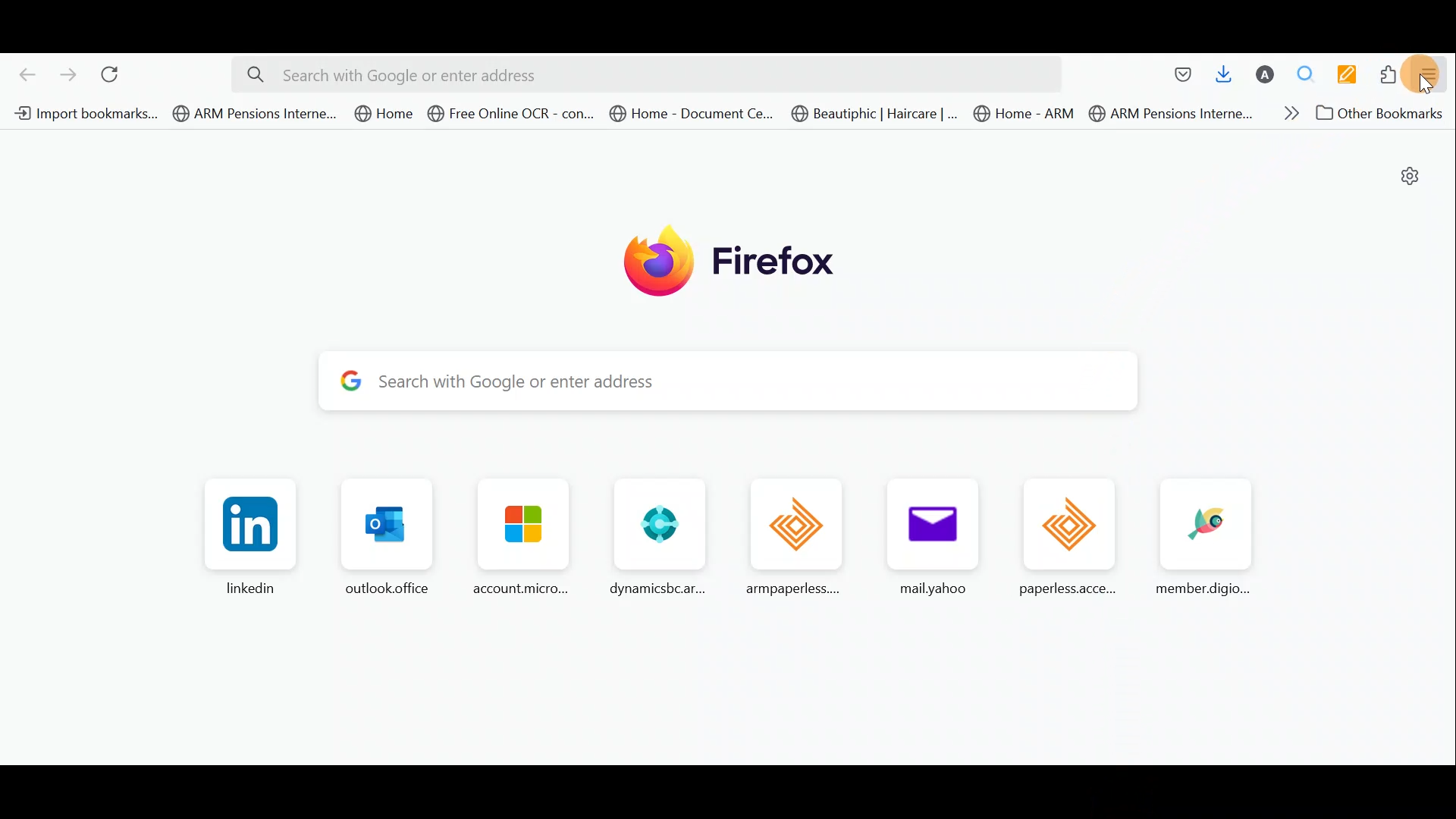 The height and width of the screenshot is (819, 1456). I want to click on Go back one page, so click(23, 73).